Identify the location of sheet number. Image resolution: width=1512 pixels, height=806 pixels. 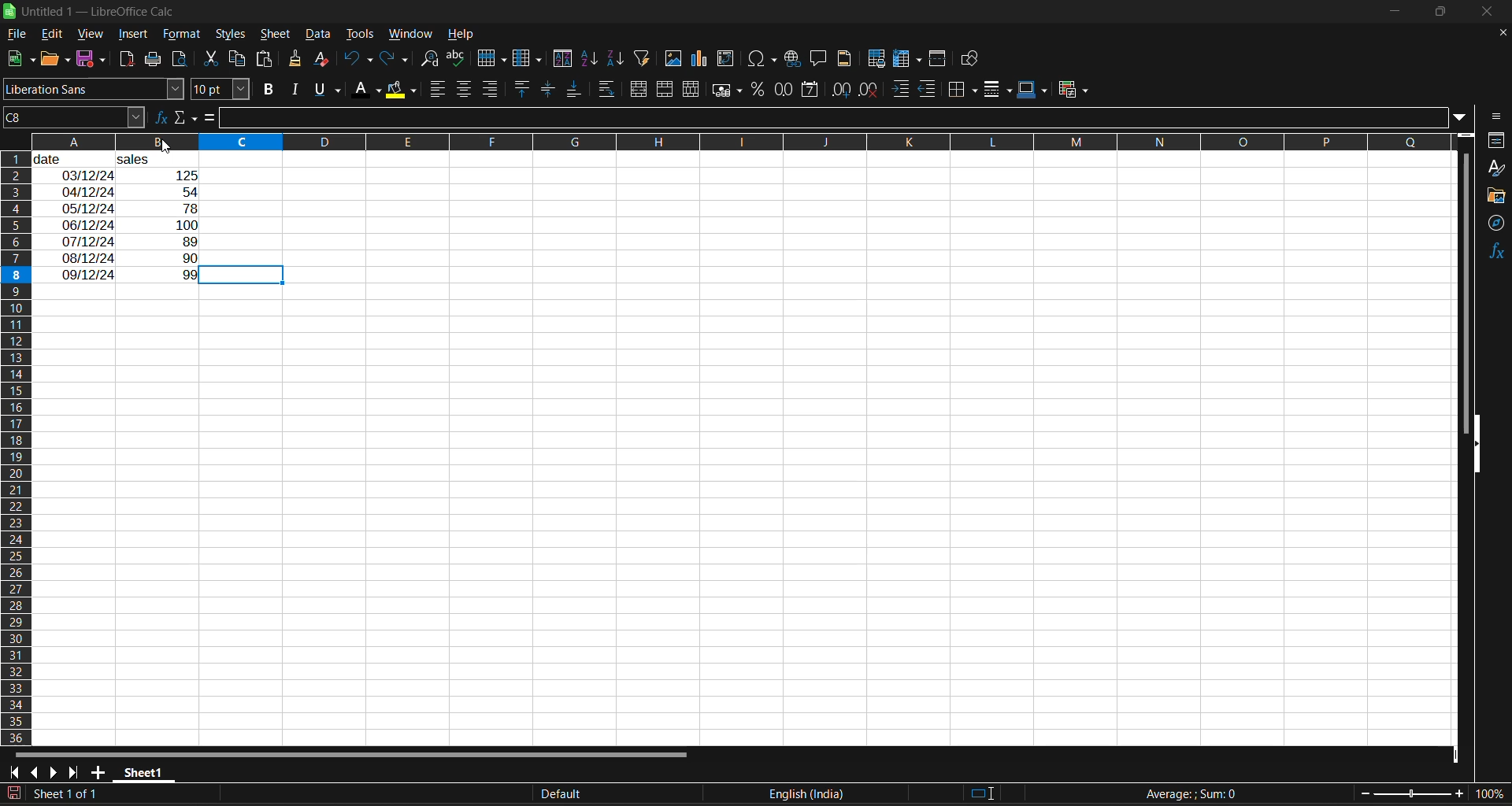
(69, 793).